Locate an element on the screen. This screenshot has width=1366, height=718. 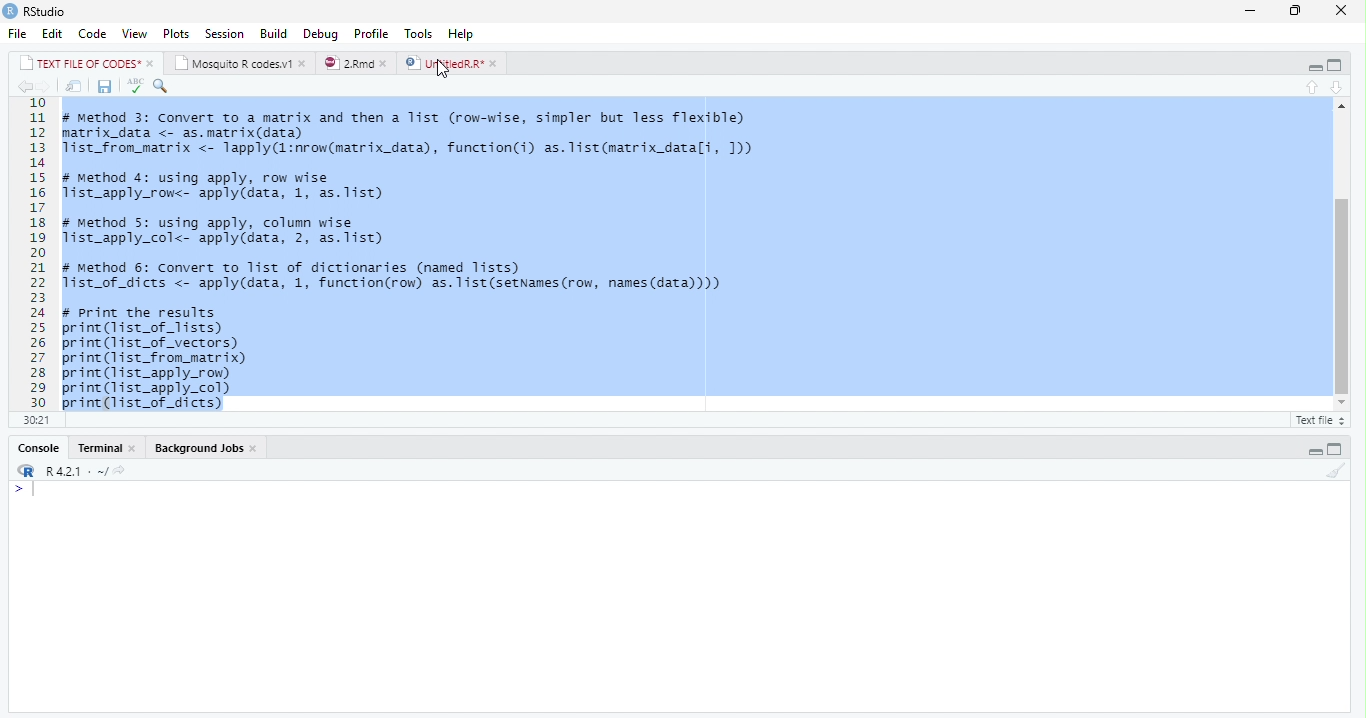
Scroll is located at coordinates (1340, 258).